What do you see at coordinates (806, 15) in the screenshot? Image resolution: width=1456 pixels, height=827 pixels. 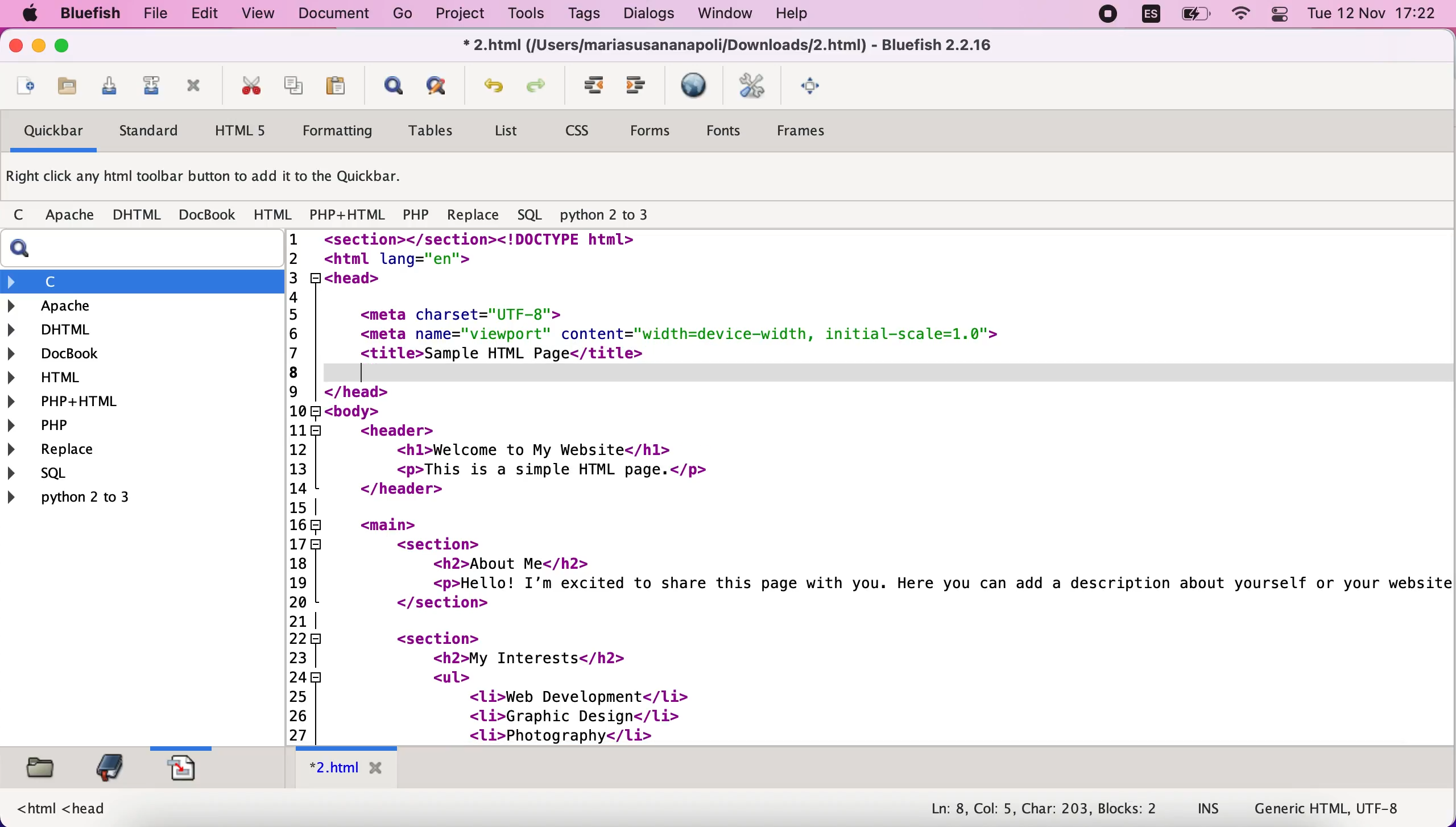 I see `help` at bounding box center [806, 15].